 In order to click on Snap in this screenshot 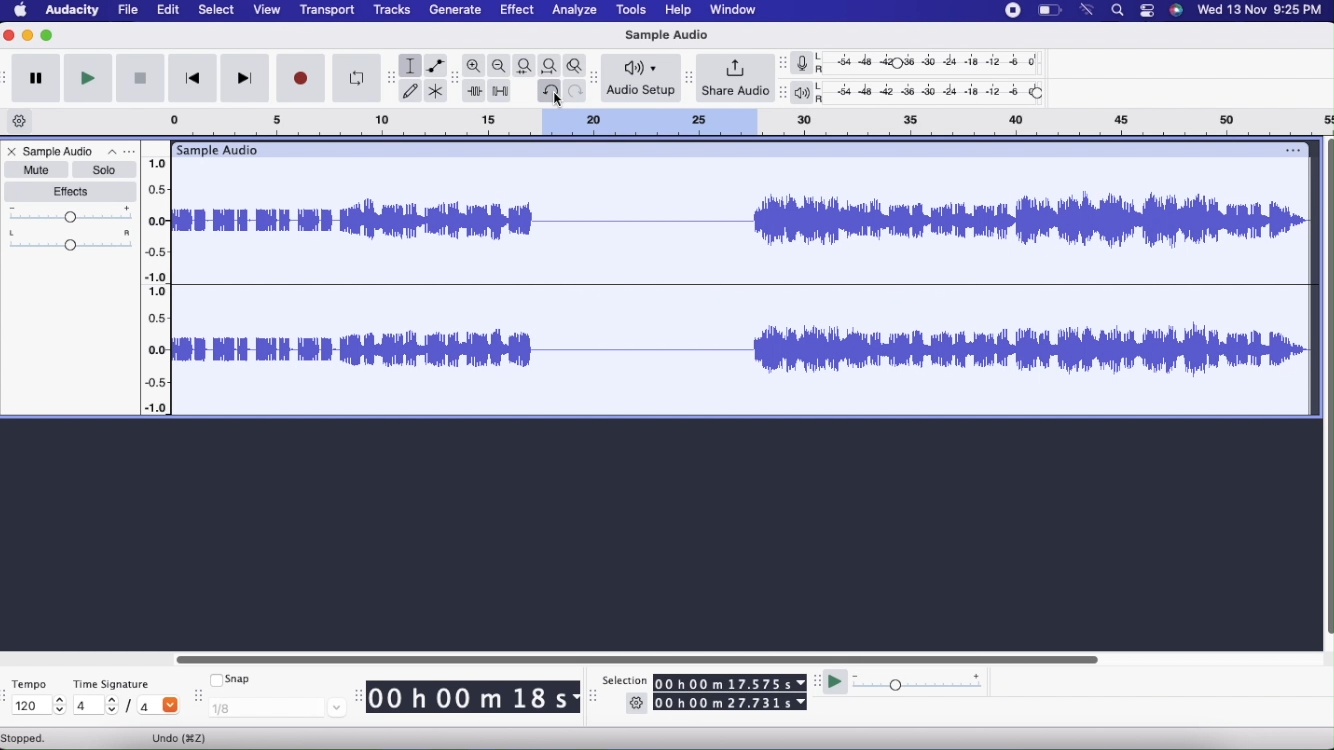, I will do `click(229, 679)`.